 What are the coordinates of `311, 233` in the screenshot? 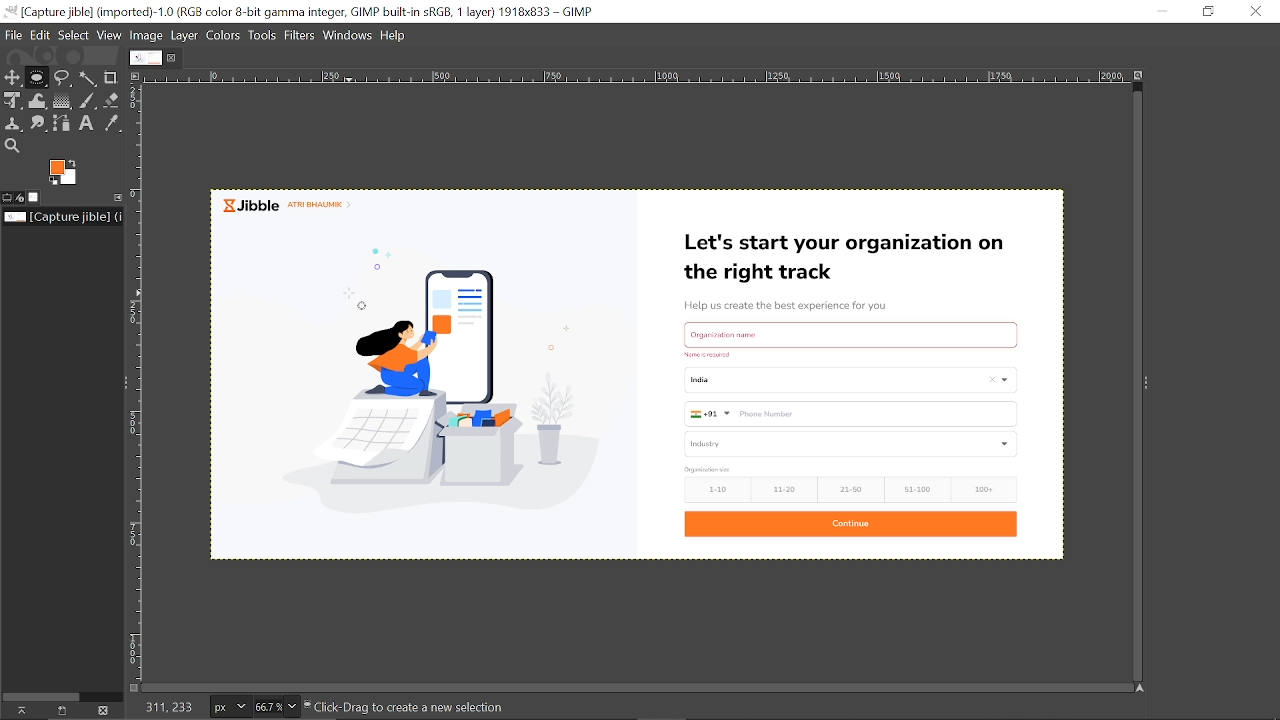 It's located at (166, 707).